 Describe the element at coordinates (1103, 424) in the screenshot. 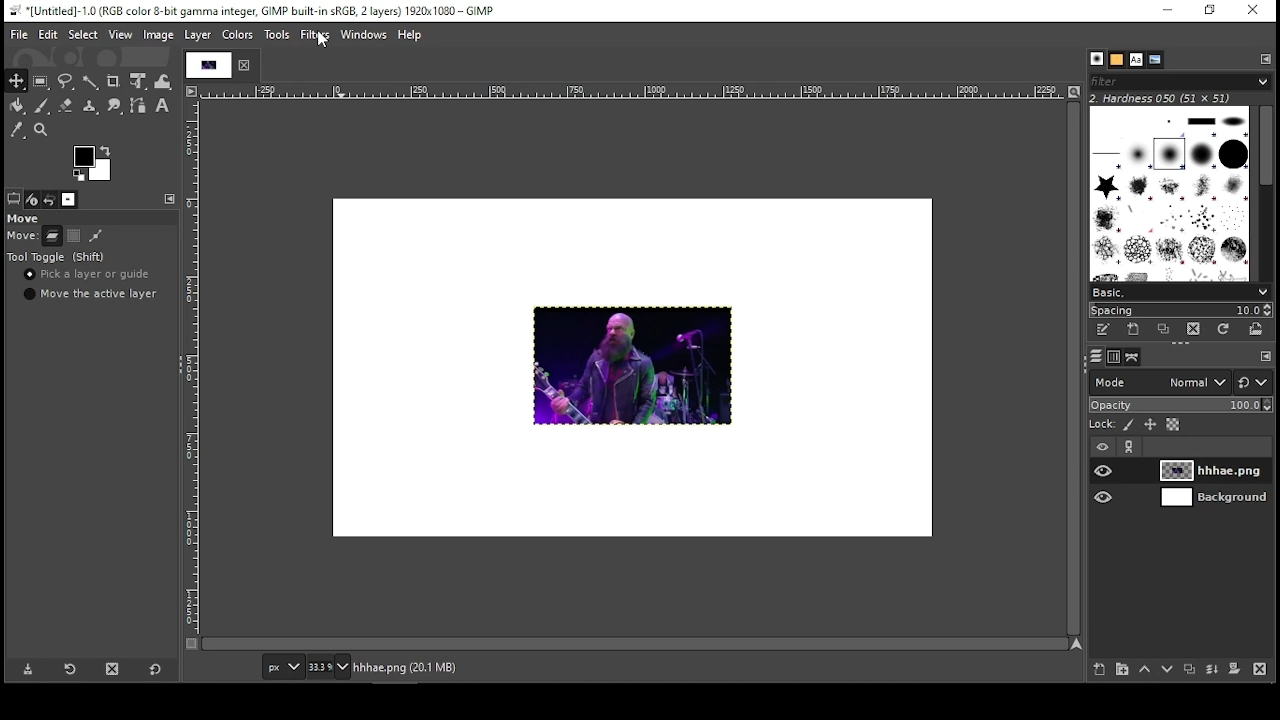

I see `lock` at that location.